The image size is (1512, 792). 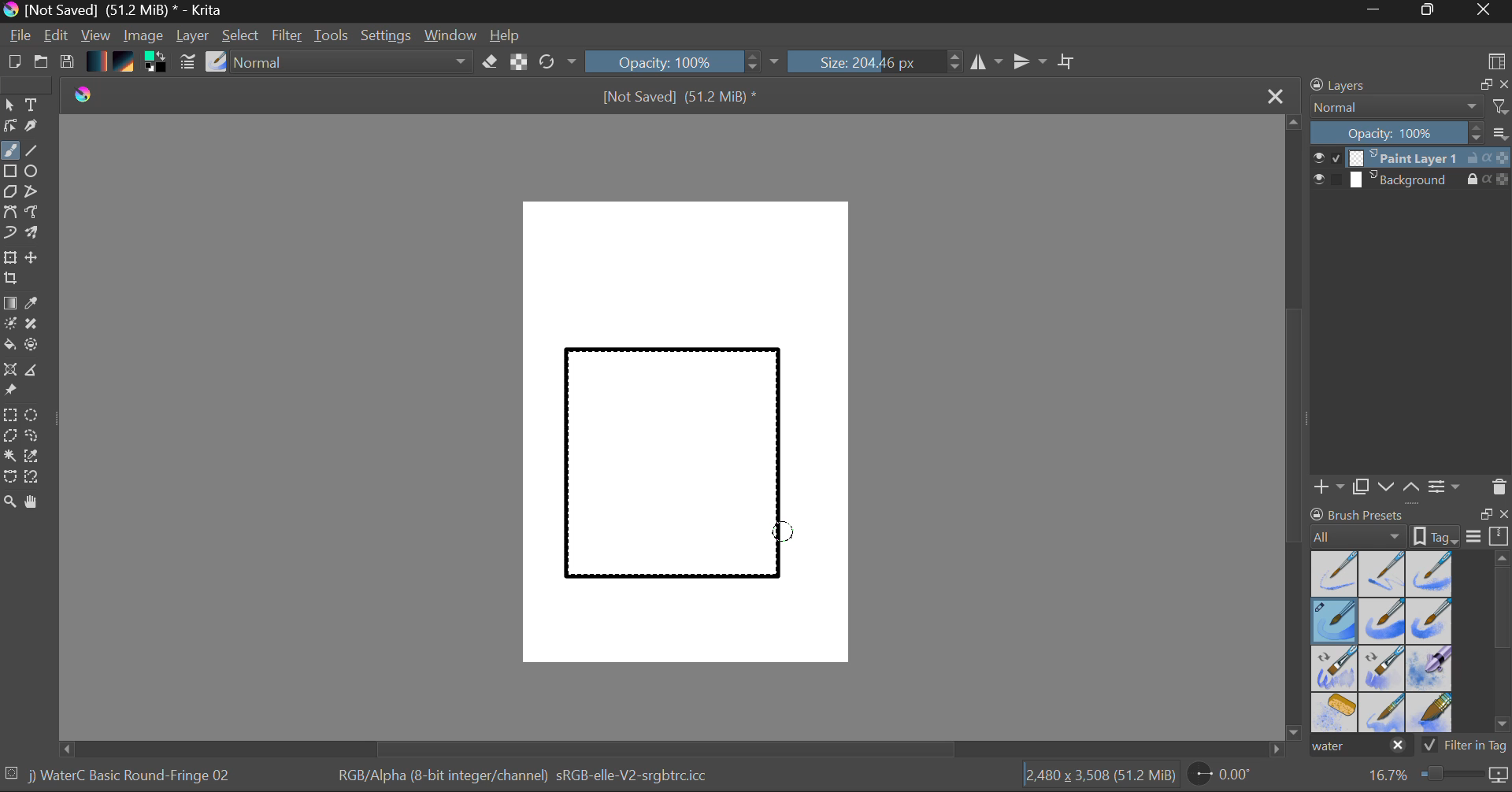 I want to click on Polygon, so click(x=9, y=192).